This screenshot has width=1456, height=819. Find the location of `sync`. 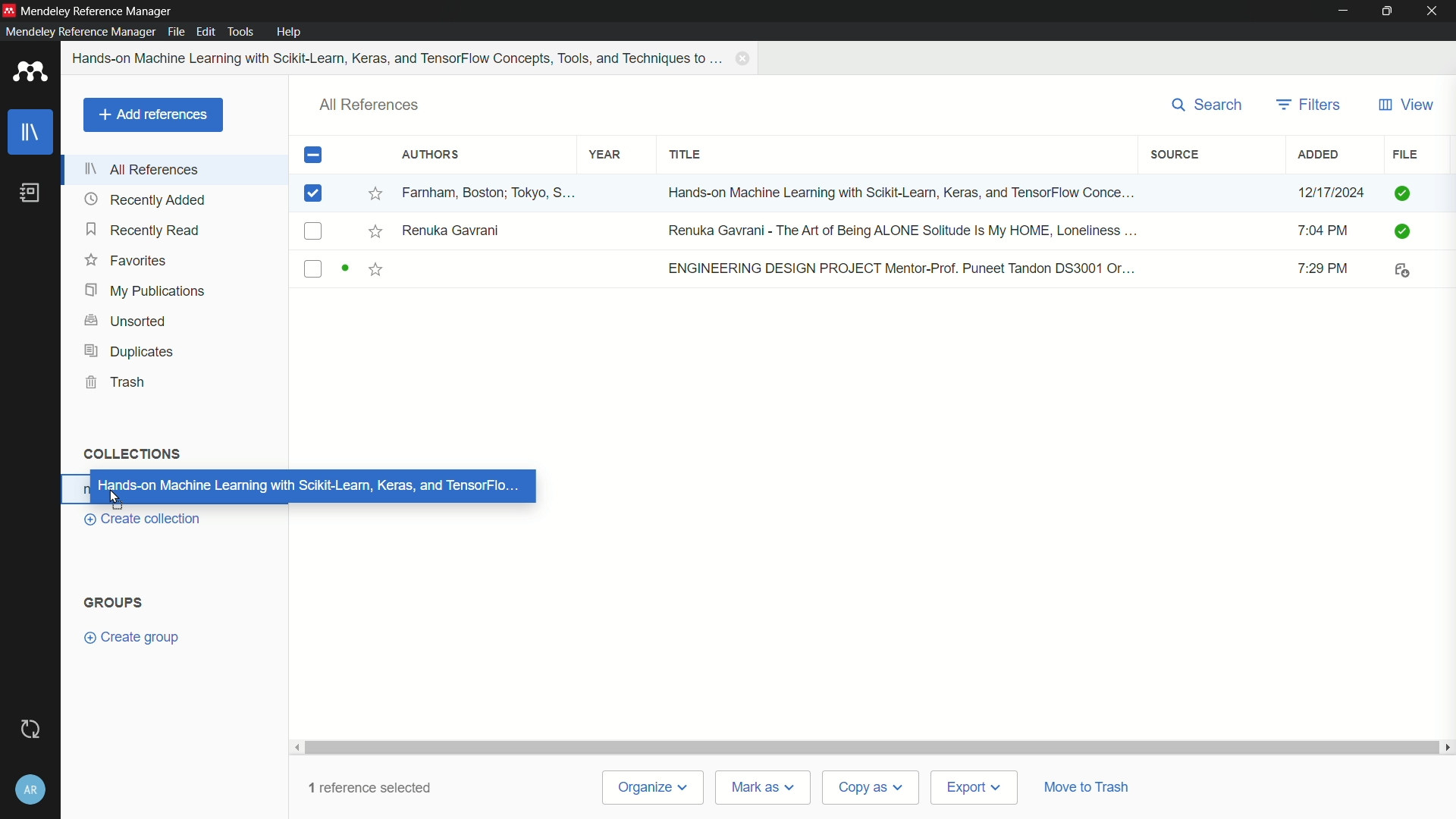

sync is located at coordinates (29, 730).